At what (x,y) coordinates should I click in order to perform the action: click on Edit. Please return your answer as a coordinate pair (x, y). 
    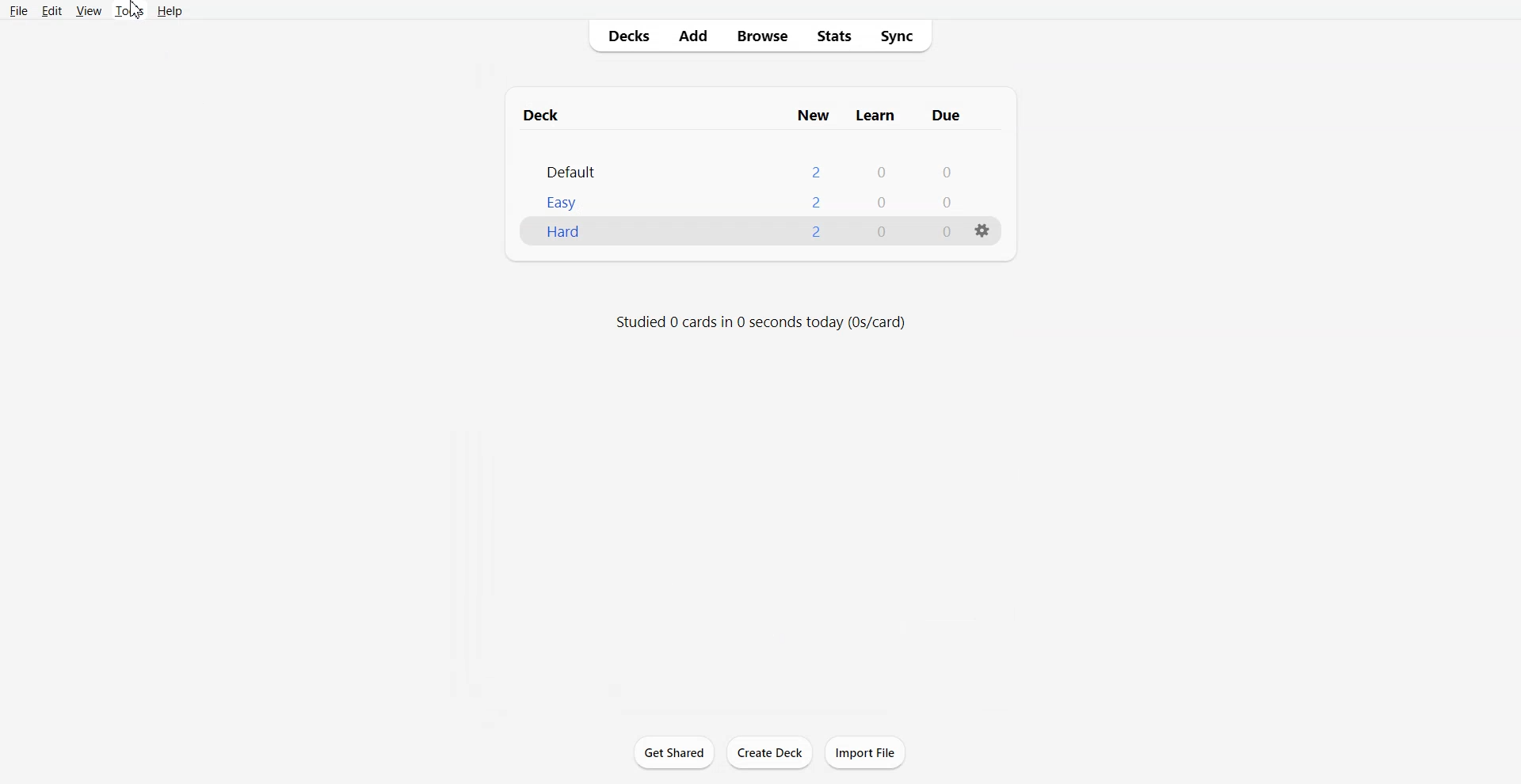
    Looking at the image, I should click on (53, 11).